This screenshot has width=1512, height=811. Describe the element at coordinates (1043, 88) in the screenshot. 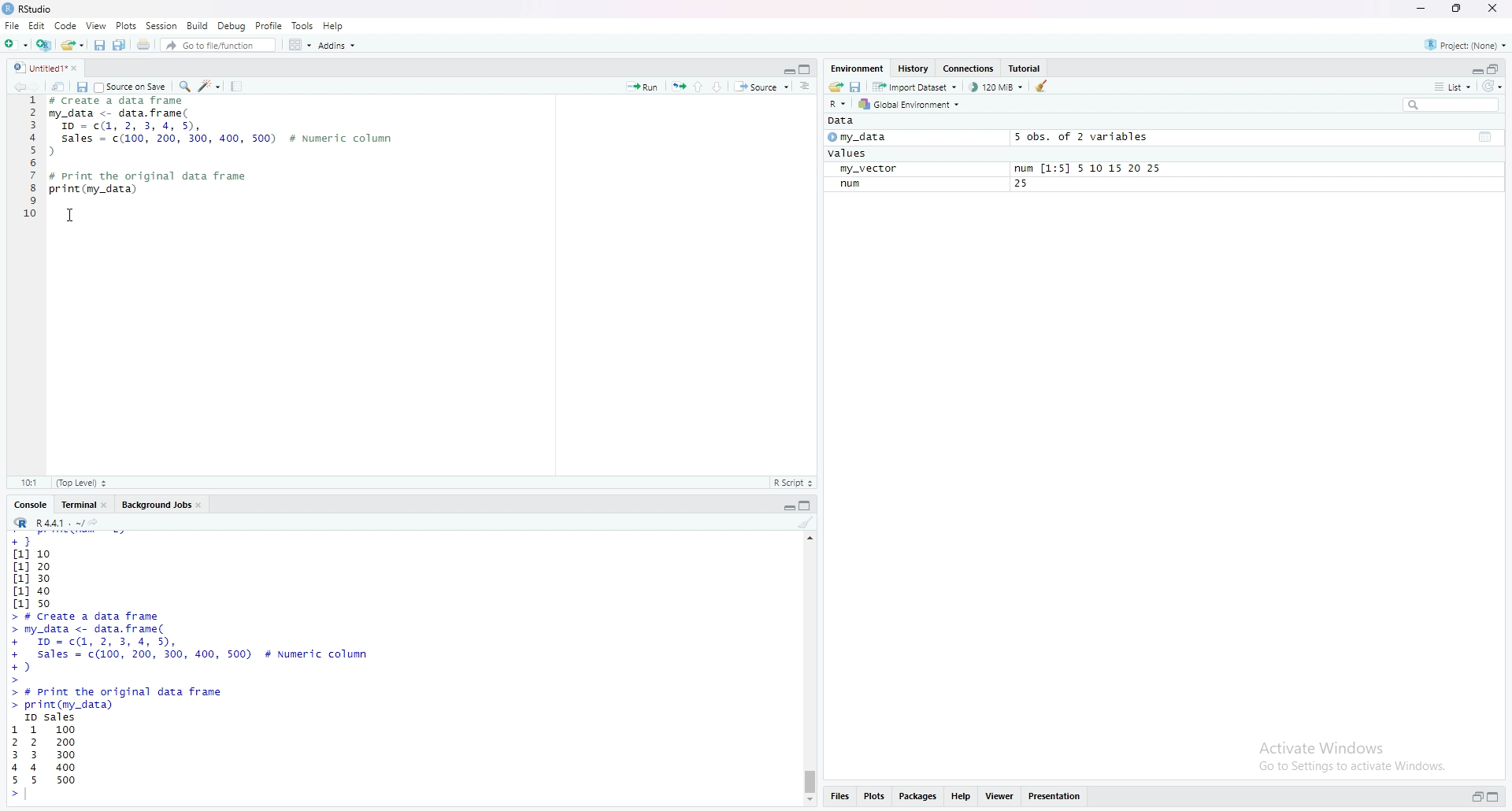

I see `clear objects from the workspace` at that location.